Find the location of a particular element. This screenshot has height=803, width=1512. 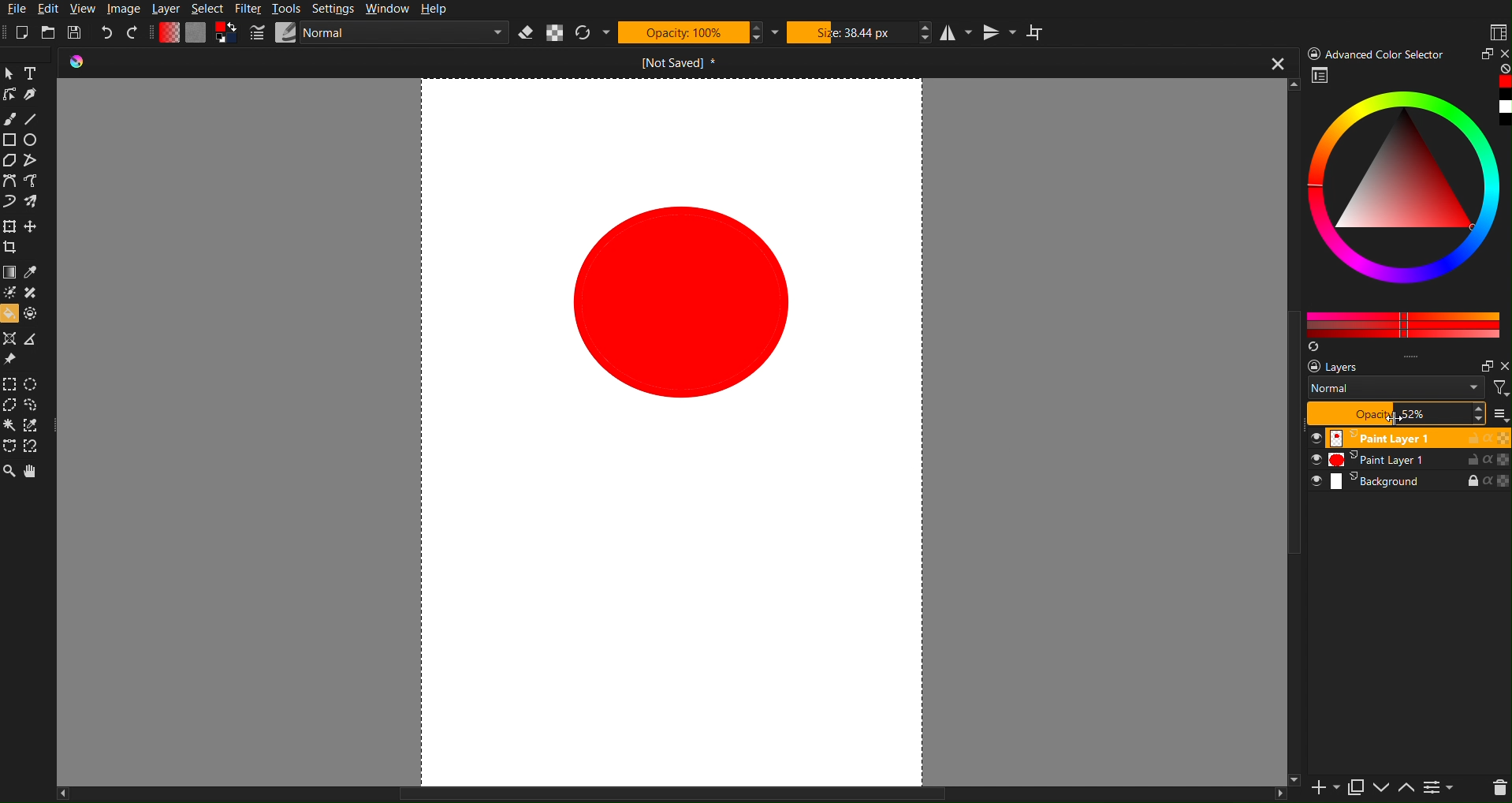

Vertical Scrollbar is located at coordinates (1295, 629).